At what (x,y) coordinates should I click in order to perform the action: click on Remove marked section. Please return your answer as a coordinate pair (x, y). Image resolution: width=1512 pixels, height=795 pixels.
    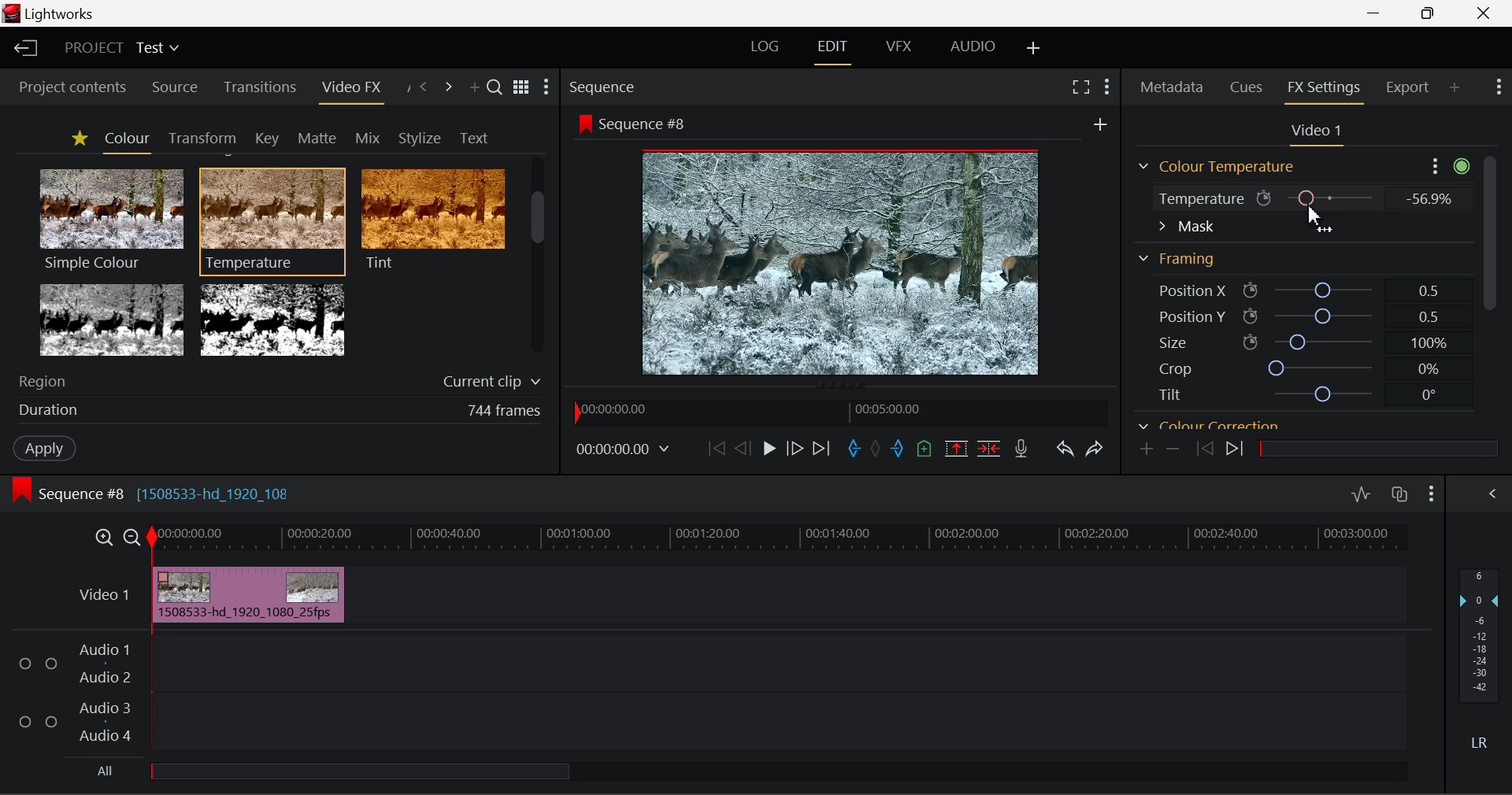
    Looking at the image, I should click on (954, 449).